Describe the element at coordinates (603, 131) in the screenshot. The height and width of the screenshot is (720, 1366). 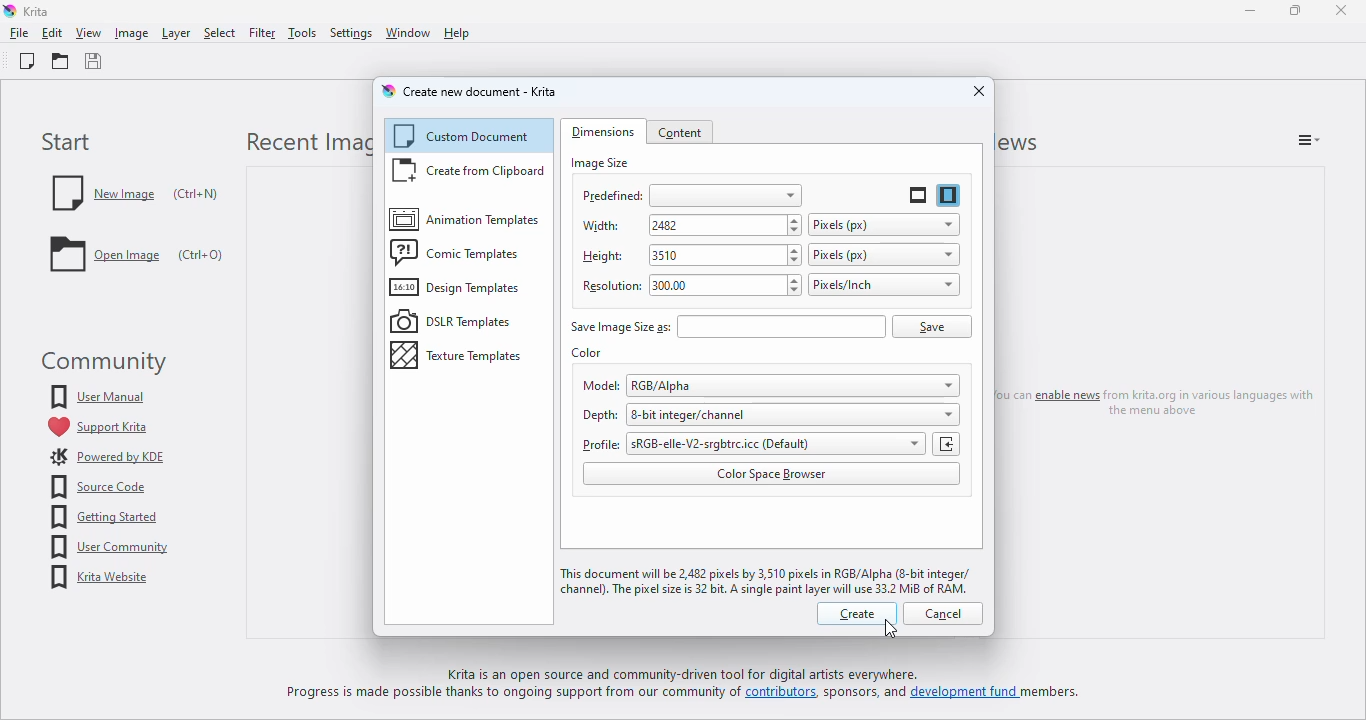
I see `dimensions` at that location.